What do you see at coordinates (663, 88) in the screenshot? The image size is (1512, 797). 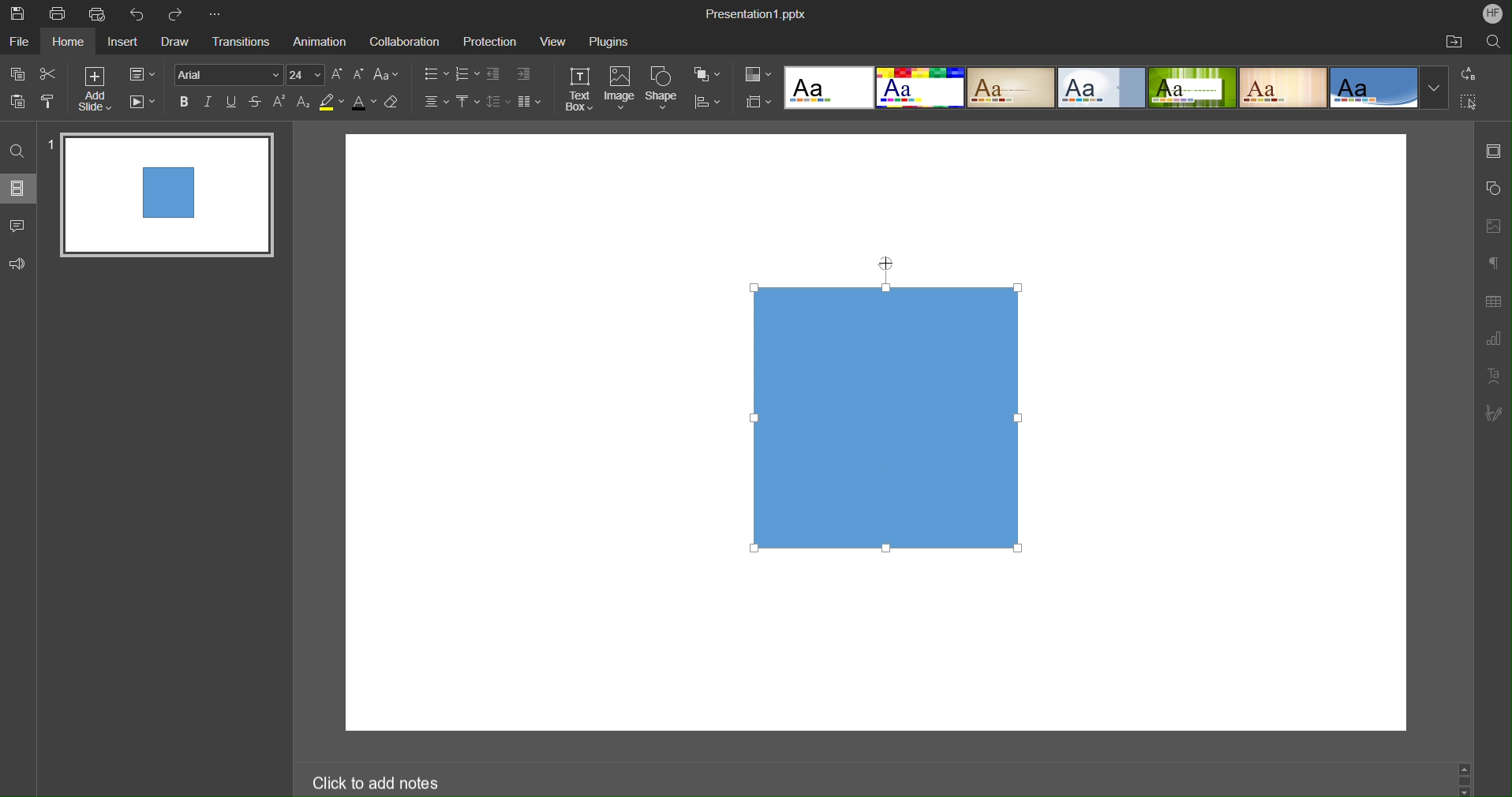 I see `Shape` at bounding box center [663, 88].